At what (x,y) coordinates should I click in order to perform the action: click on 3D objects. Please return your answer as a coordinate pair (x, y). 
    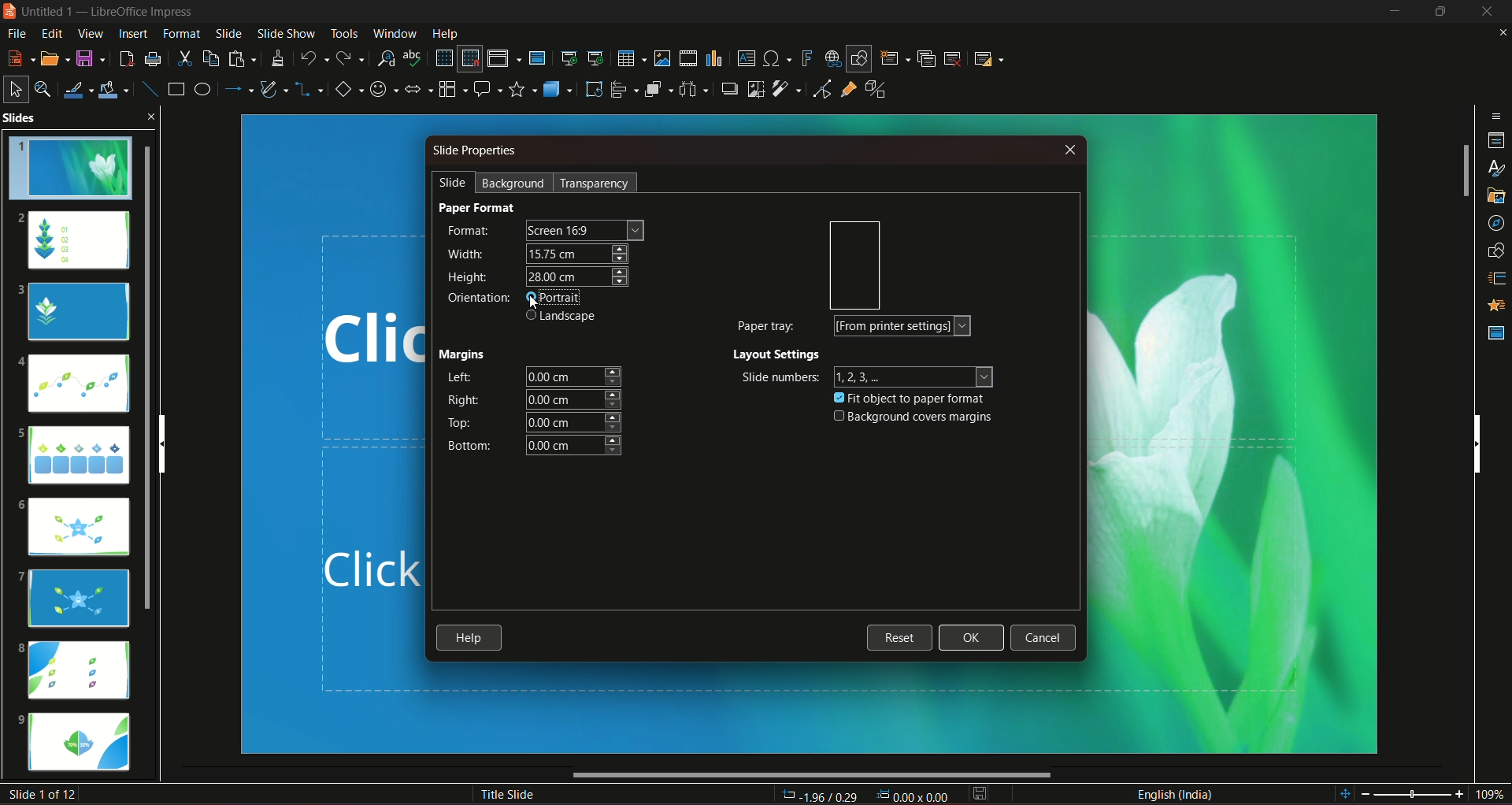
    Looking at the image, I should click on (557, 88).